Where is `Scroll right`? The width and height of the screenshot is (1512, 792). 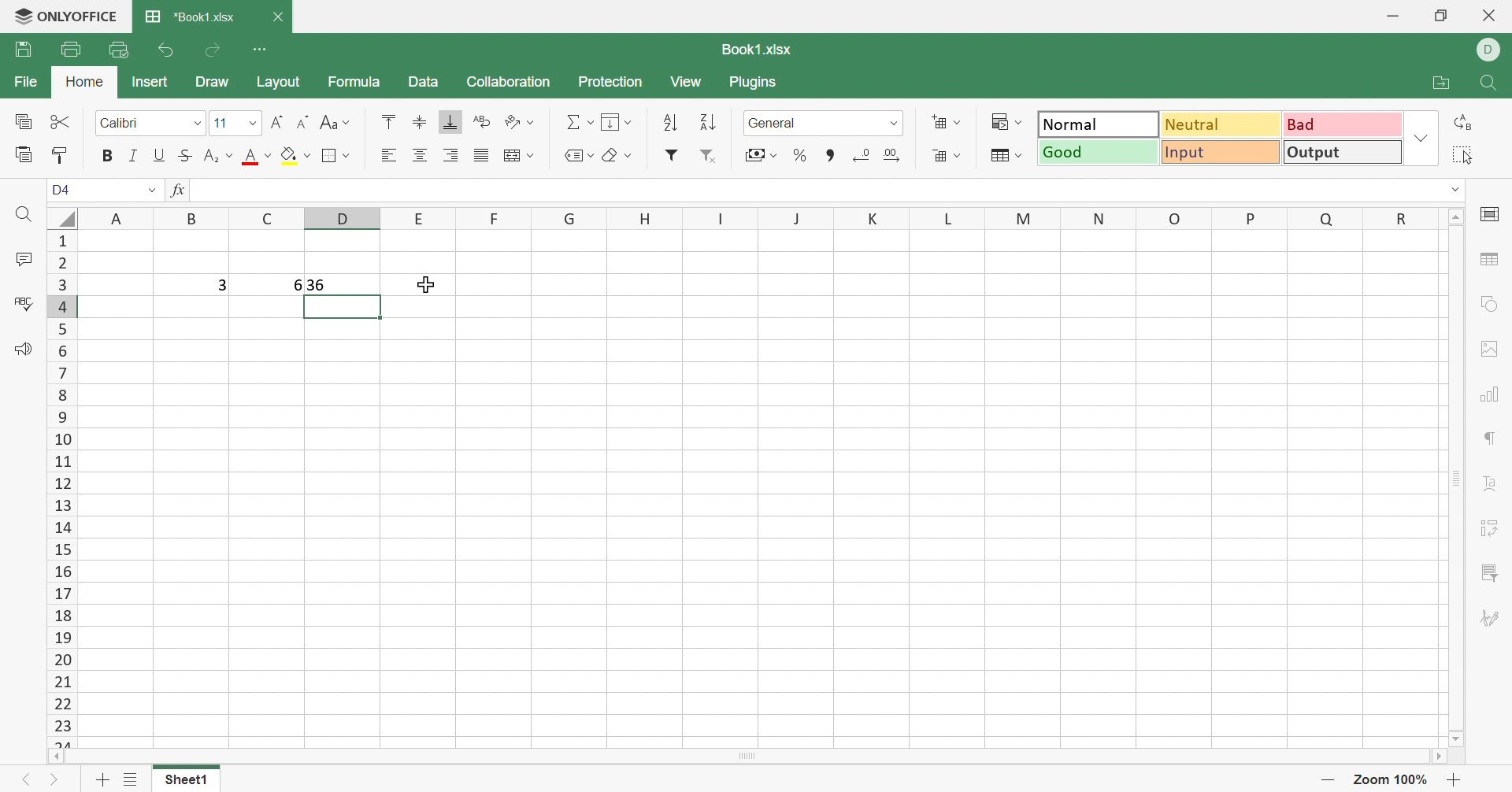
Scroll right is located at coordinates (1437, 757).